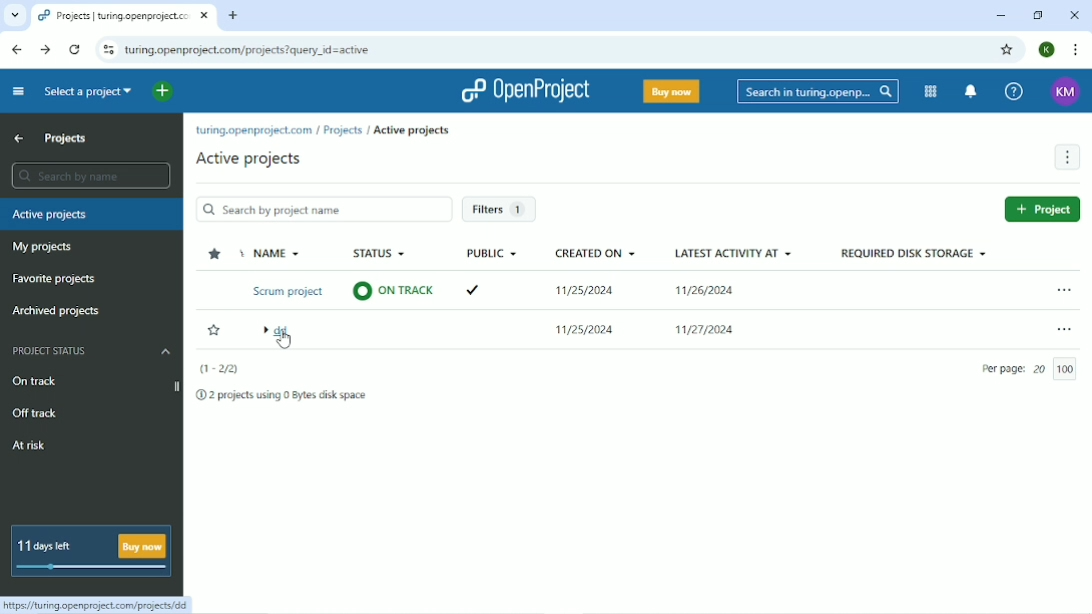 Image resolution: width=1092 pixels, height=614 pixels. I want to click on More actions, so click(1066, 157).